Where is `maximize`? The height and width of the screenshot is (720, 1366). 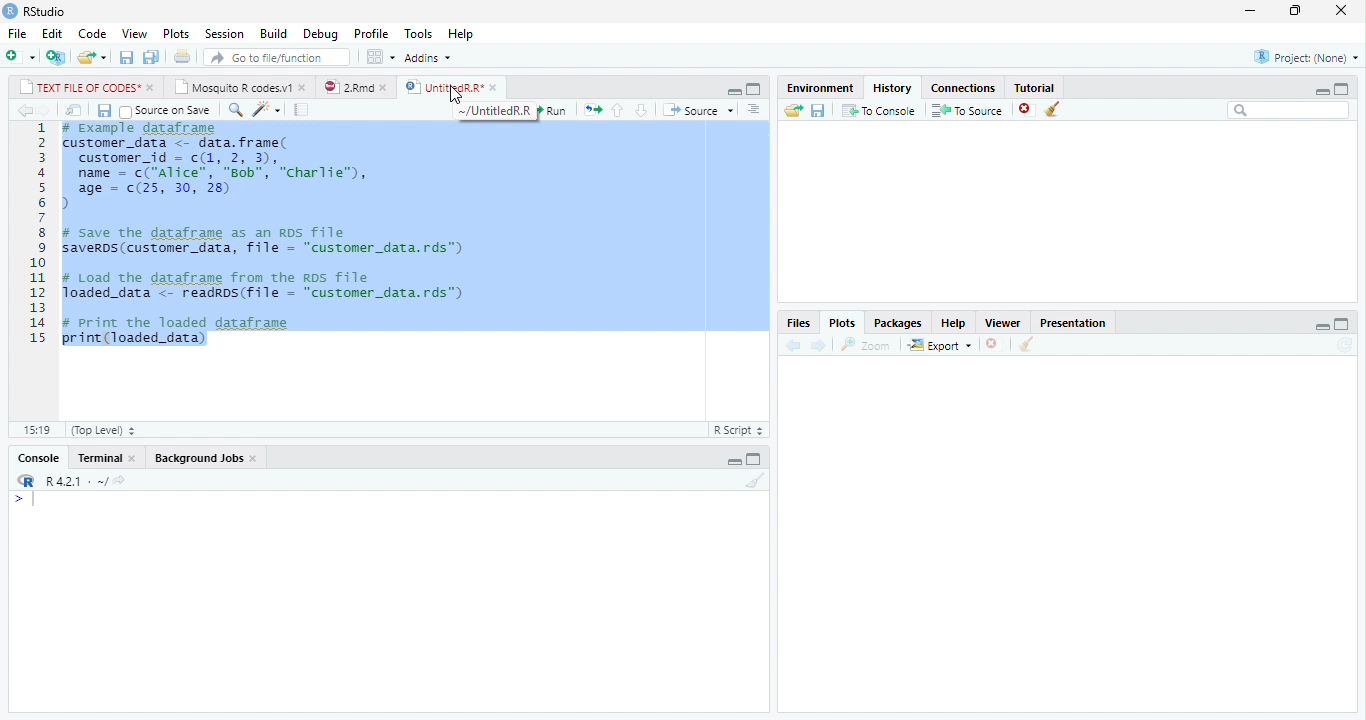
maximize is located at coordinates (1342, 89).